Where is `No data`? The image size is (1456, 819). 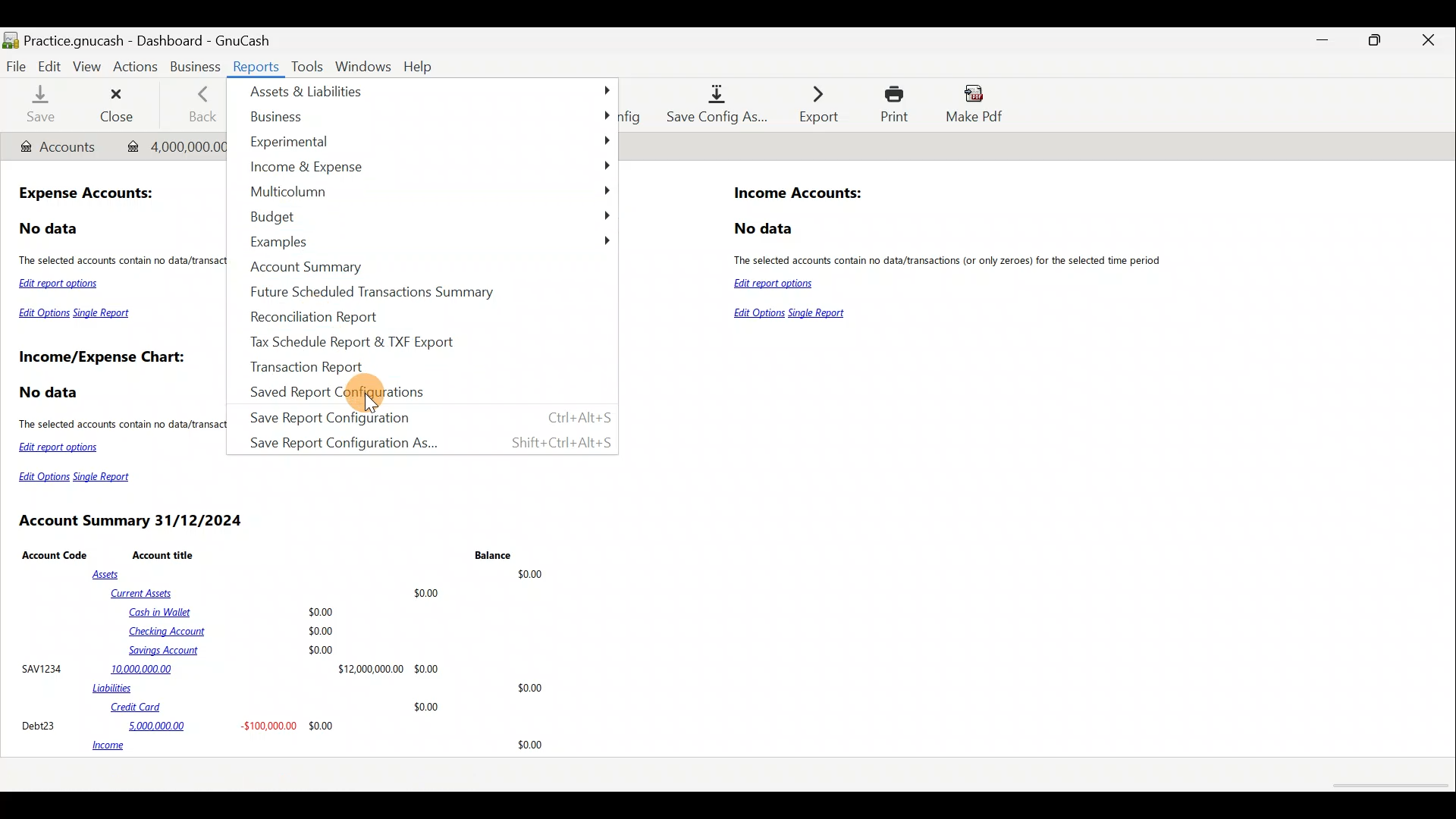
No data is located at coordinates (51, 393).